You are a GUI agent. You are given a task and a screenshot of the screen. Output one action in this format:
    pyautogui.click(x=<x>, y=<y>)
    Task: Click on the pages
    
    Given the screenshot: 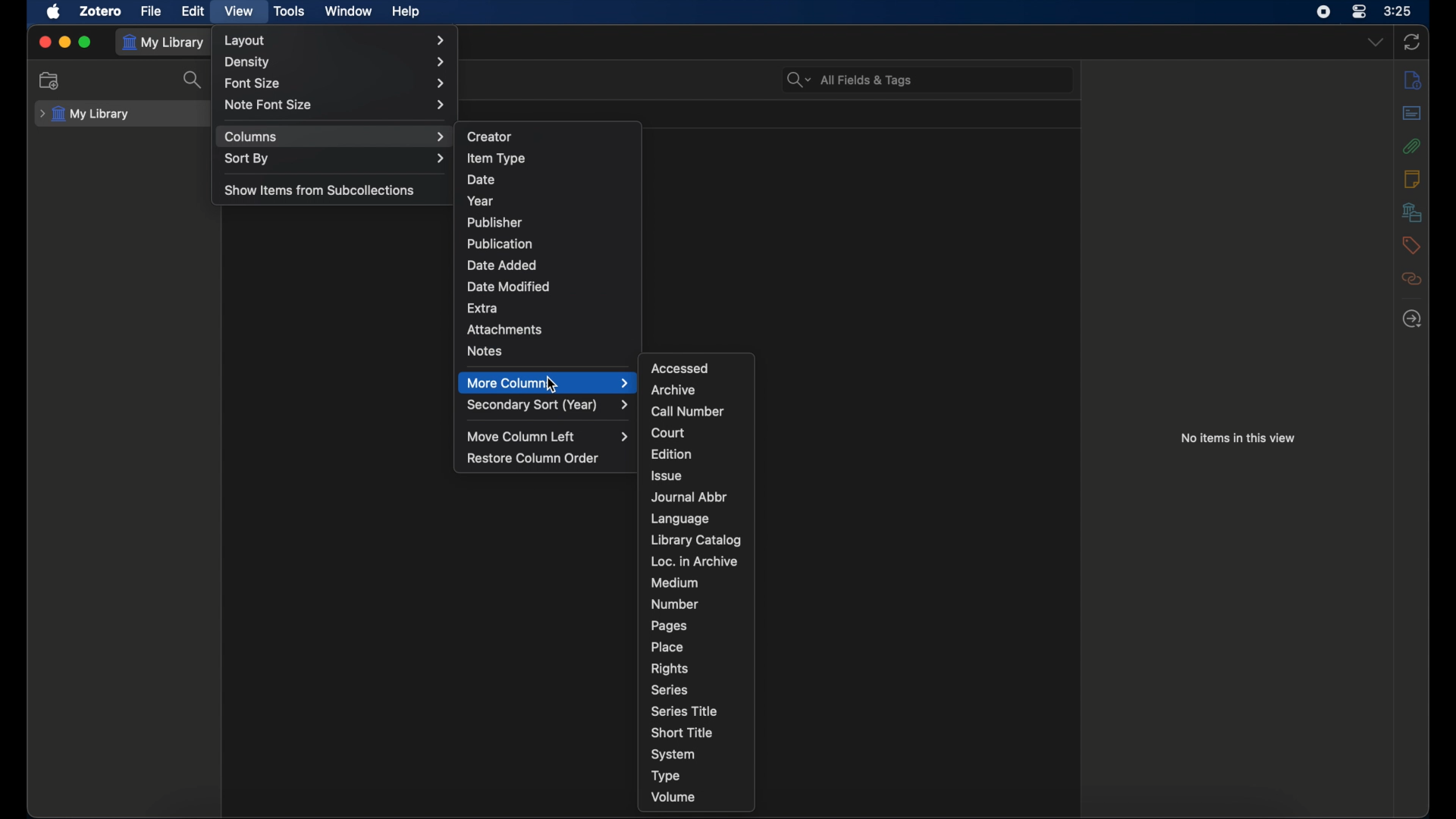 What is the action you would take?
    pyautogui.click(x=670, y=626)
    